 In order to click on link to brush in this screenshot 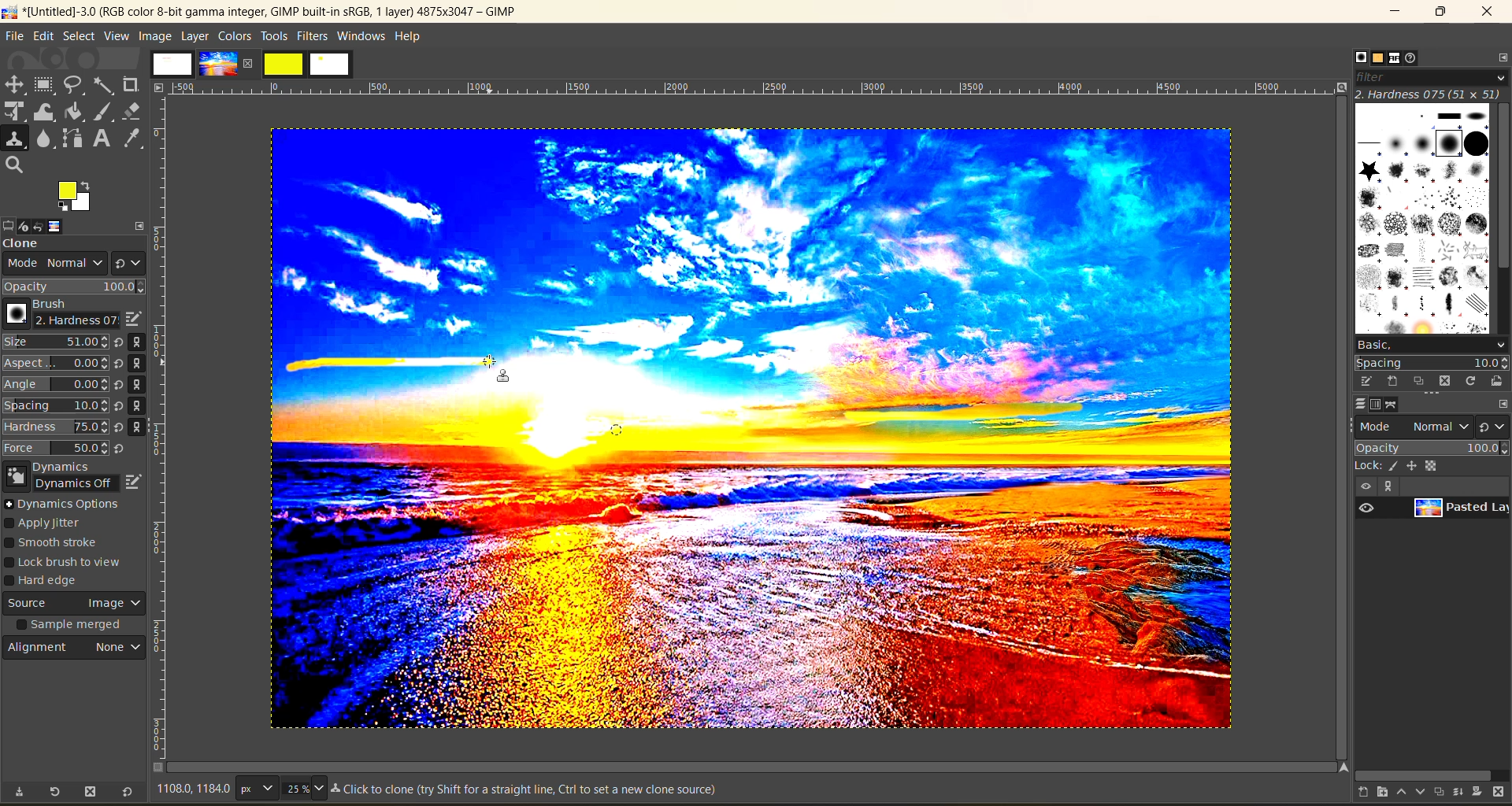, I will do `click(142, 387)`.